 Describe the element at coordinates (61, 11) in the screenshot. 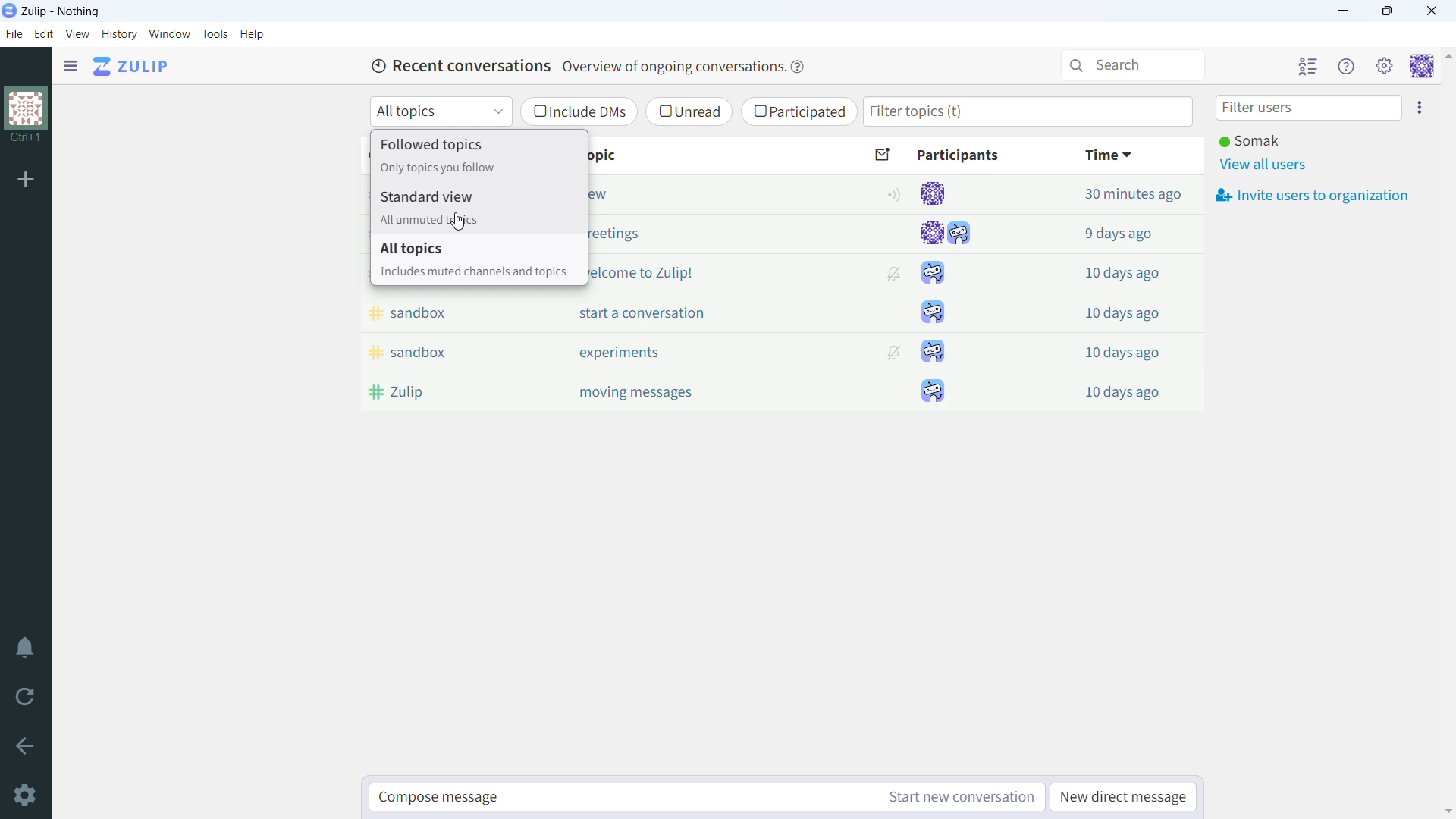

I see `title` at that location.